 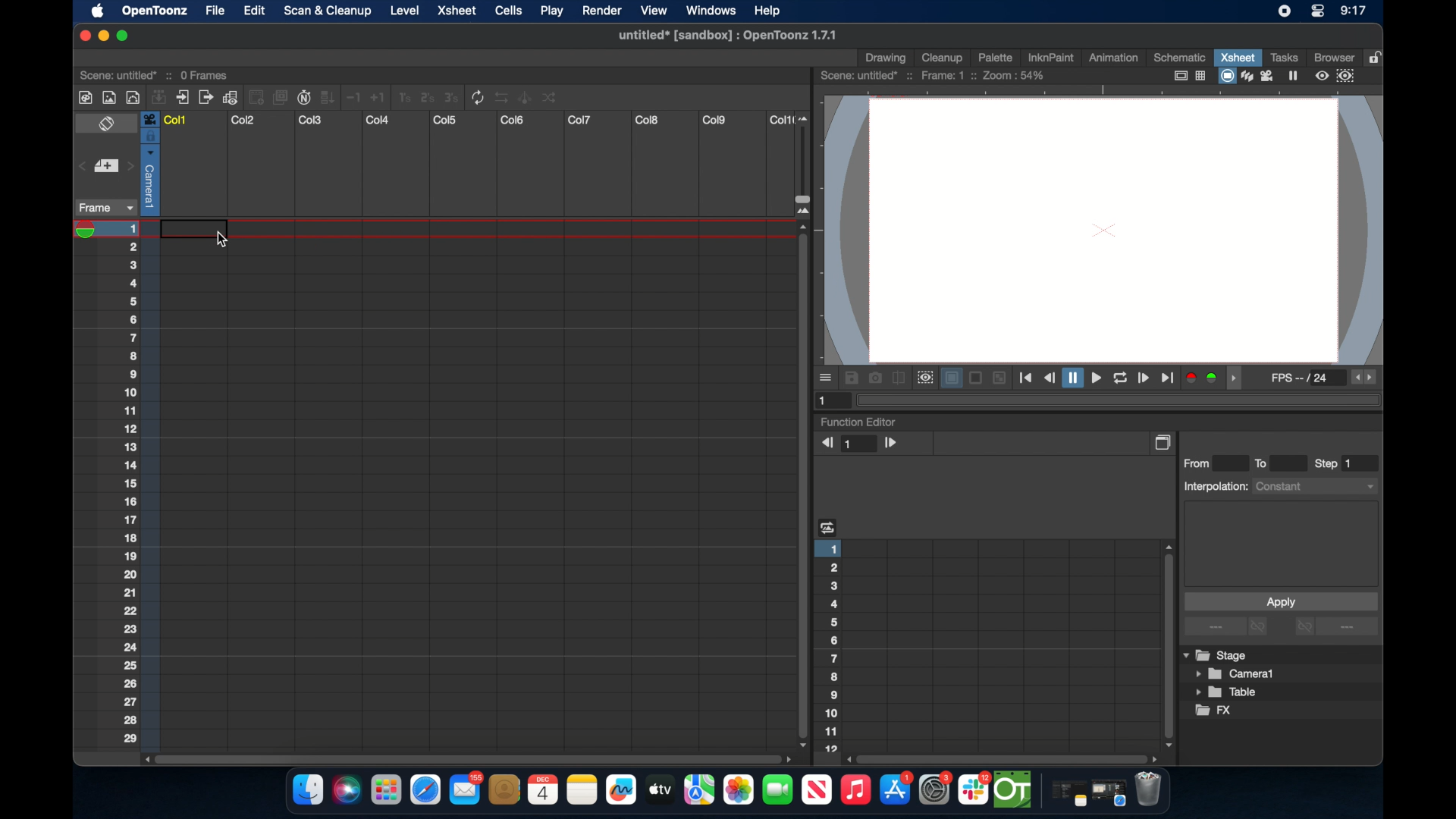 I want to click on function editor, so click(x=859, y=422).